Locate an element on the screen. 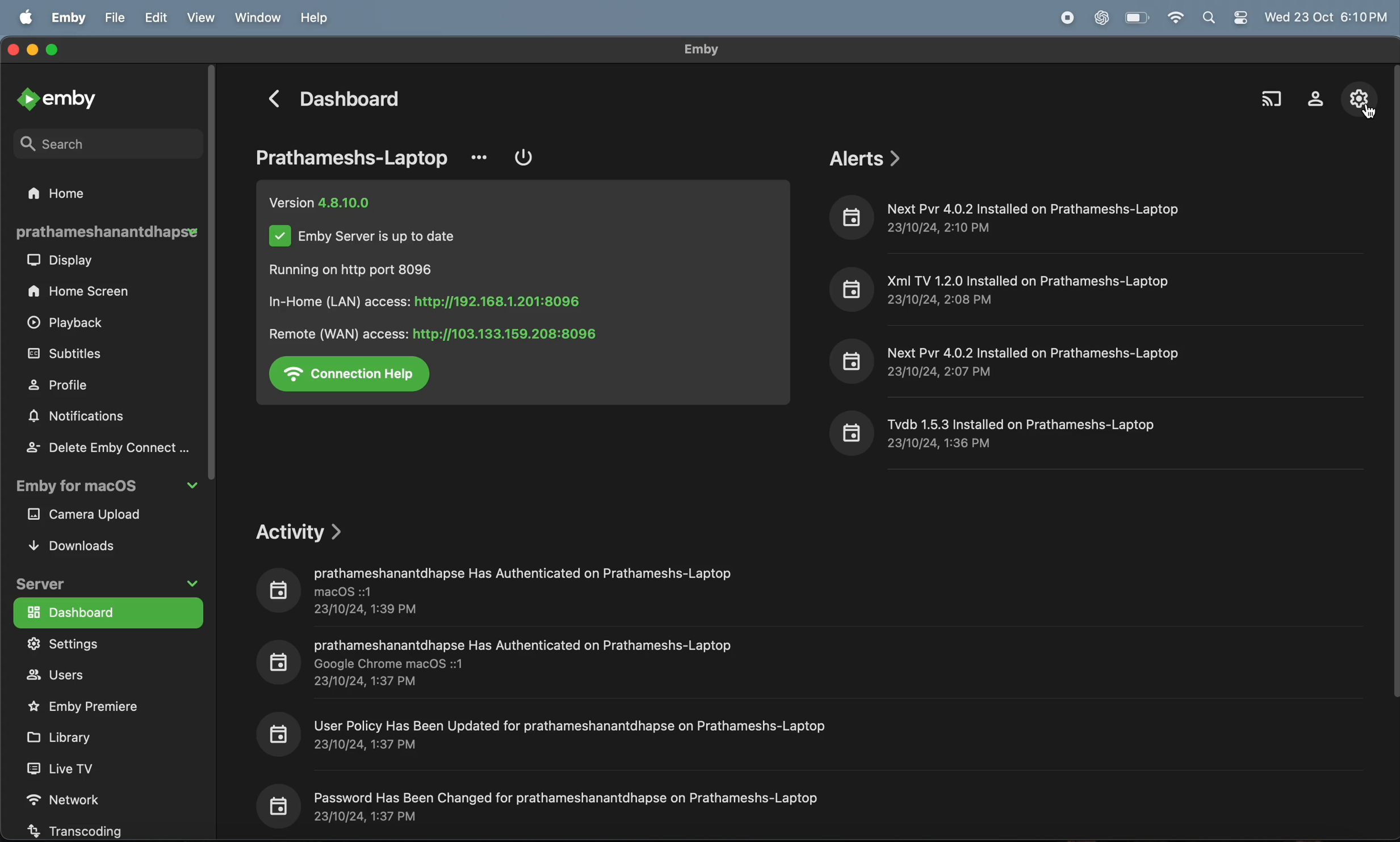 The image size is (1400, 842). settings is located at coordinates (1363, 96).